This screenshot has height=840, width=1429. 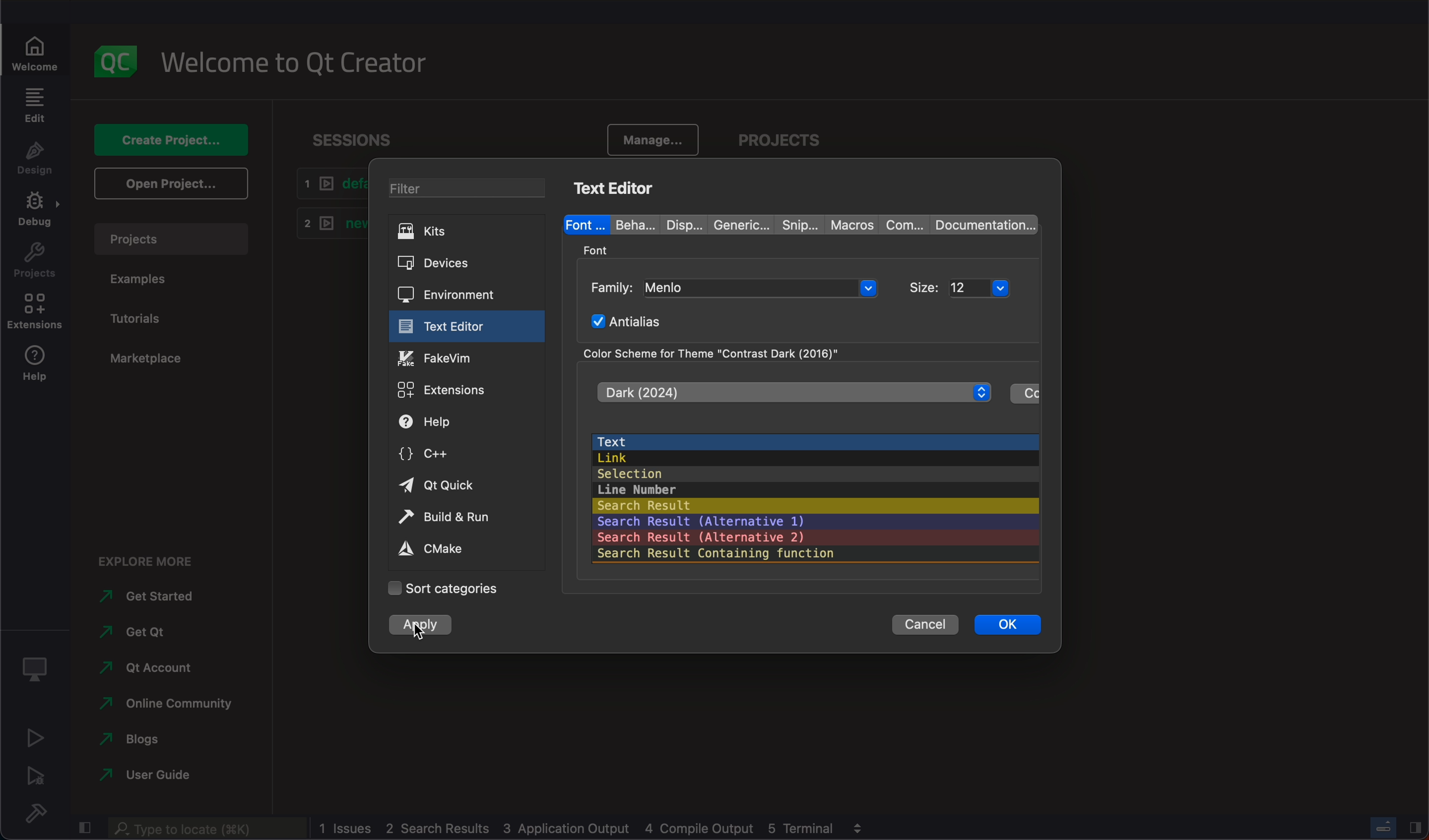 I want to click on examples, so click(x=145, y=282).